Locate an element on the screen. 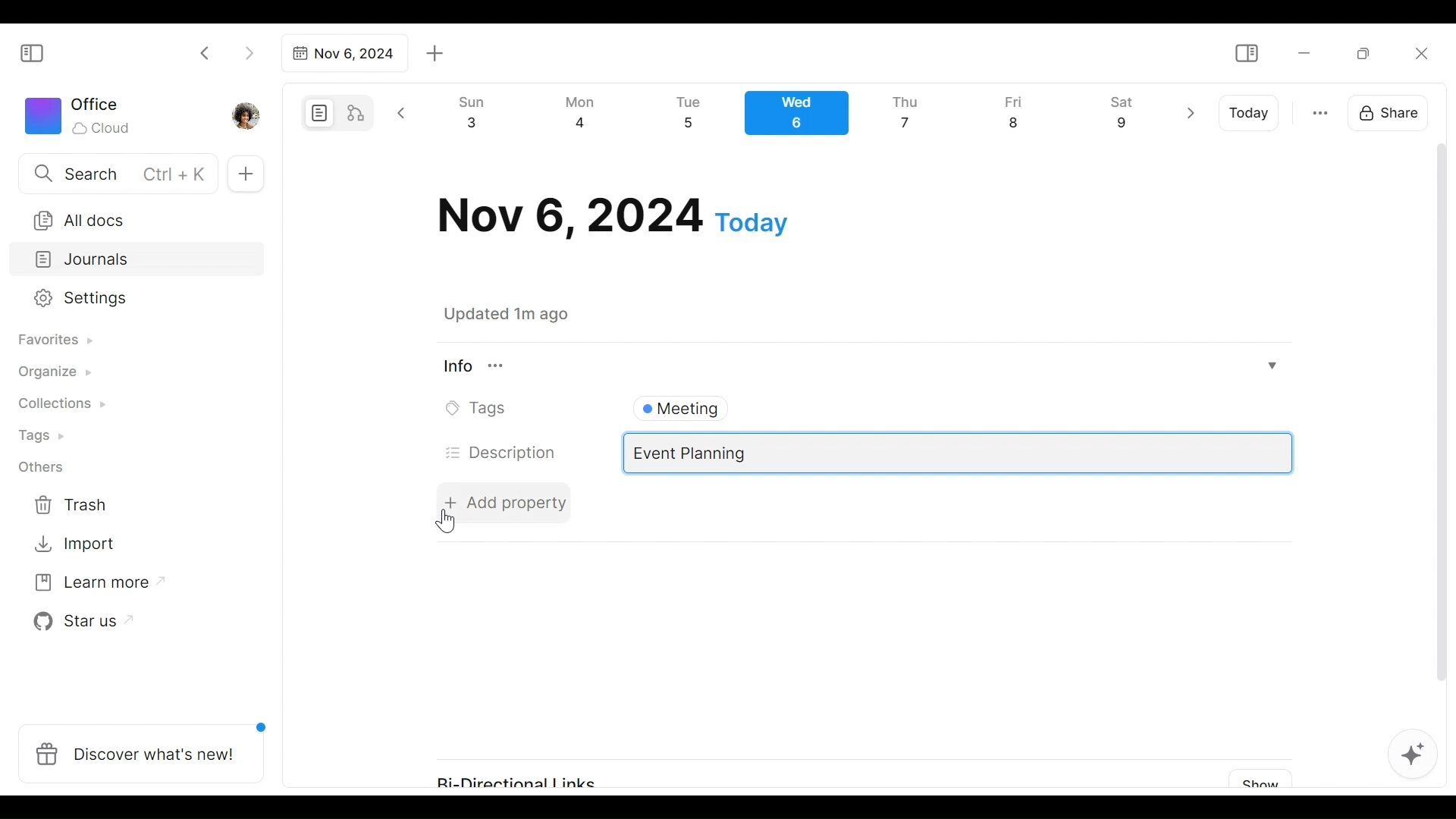 Image resolution: width=1456 pixels, height=819 pixels. Trash is located at coordinates (72, 505).